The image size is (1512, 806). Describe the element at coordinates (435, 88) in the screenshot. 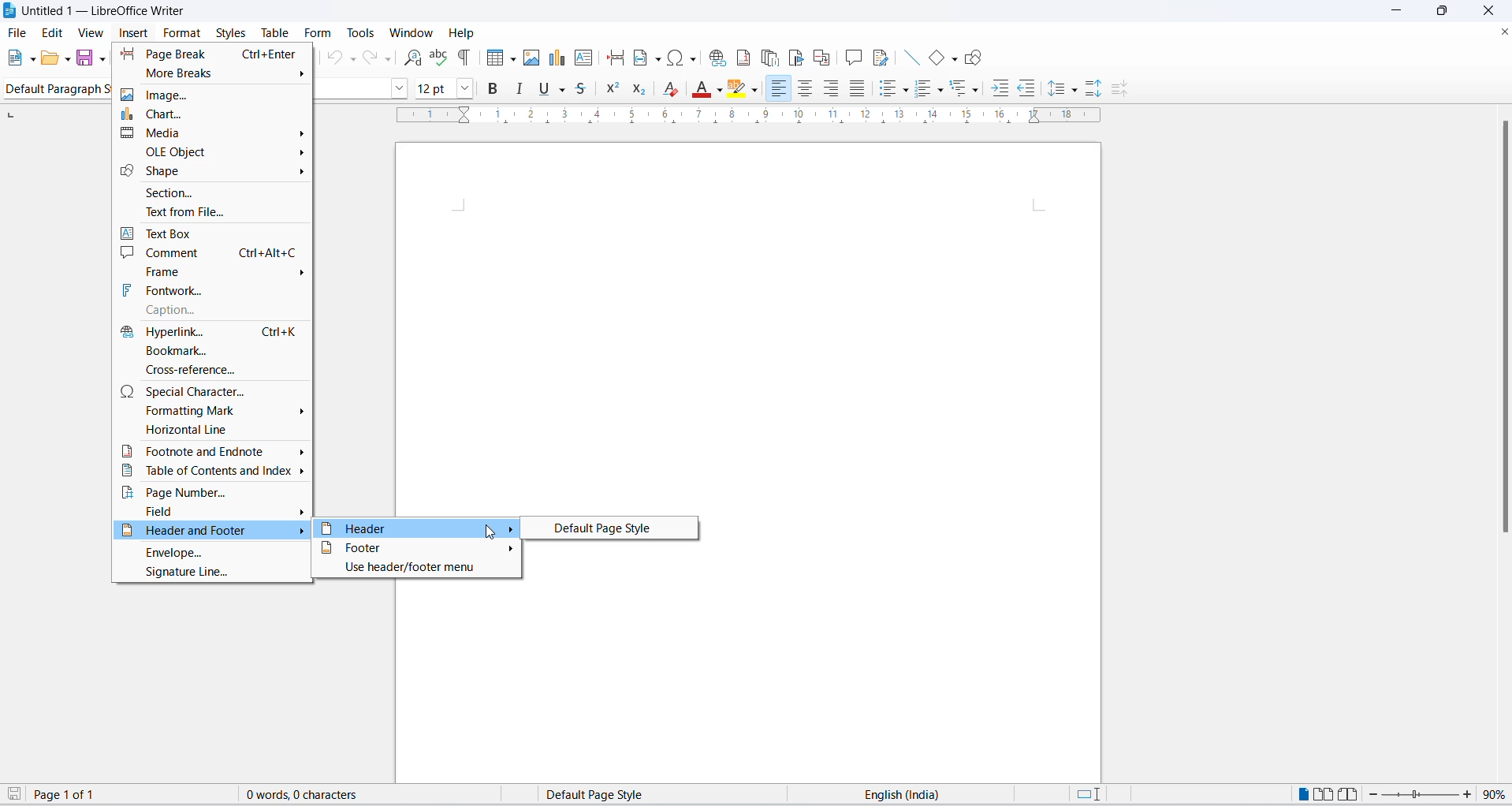

I see `font size` at that location.